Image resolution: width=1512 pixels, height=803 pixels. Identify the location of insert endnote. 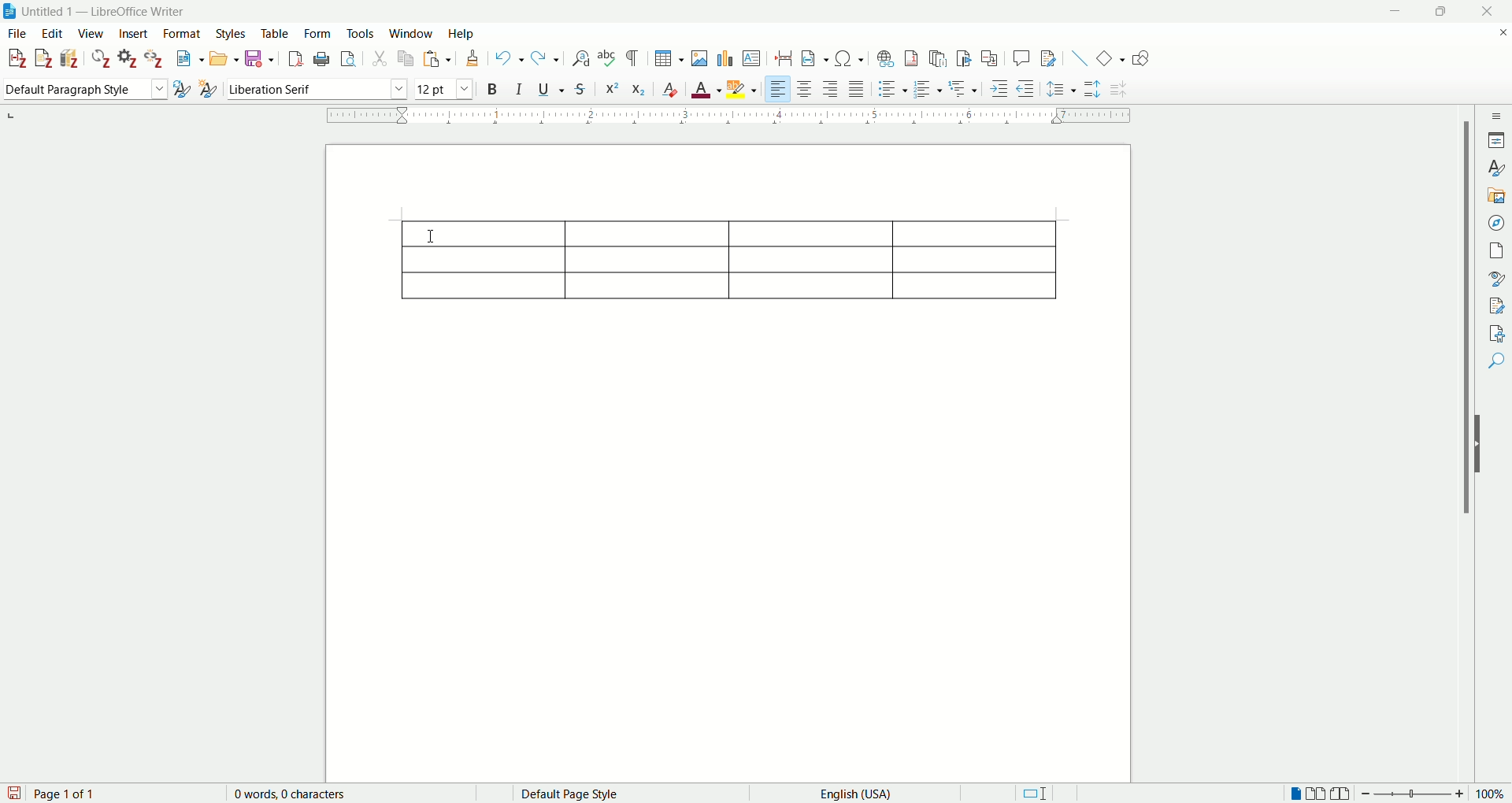
(942, 59).